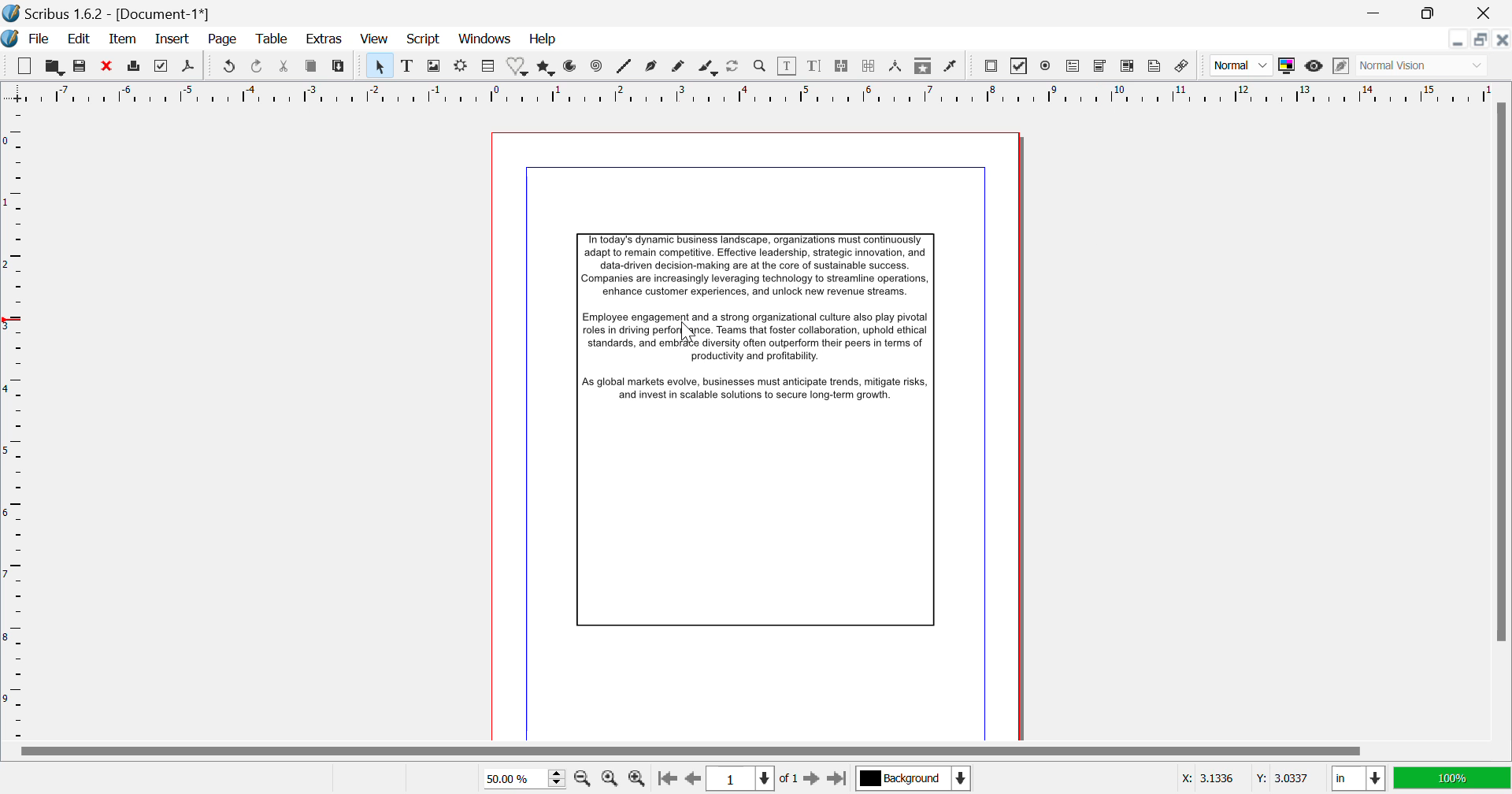 This screenshot has width=1512, height=794. Describe the element at coordinates (9, 39) in the screenshot. I see `Scribus Logo` at that location.